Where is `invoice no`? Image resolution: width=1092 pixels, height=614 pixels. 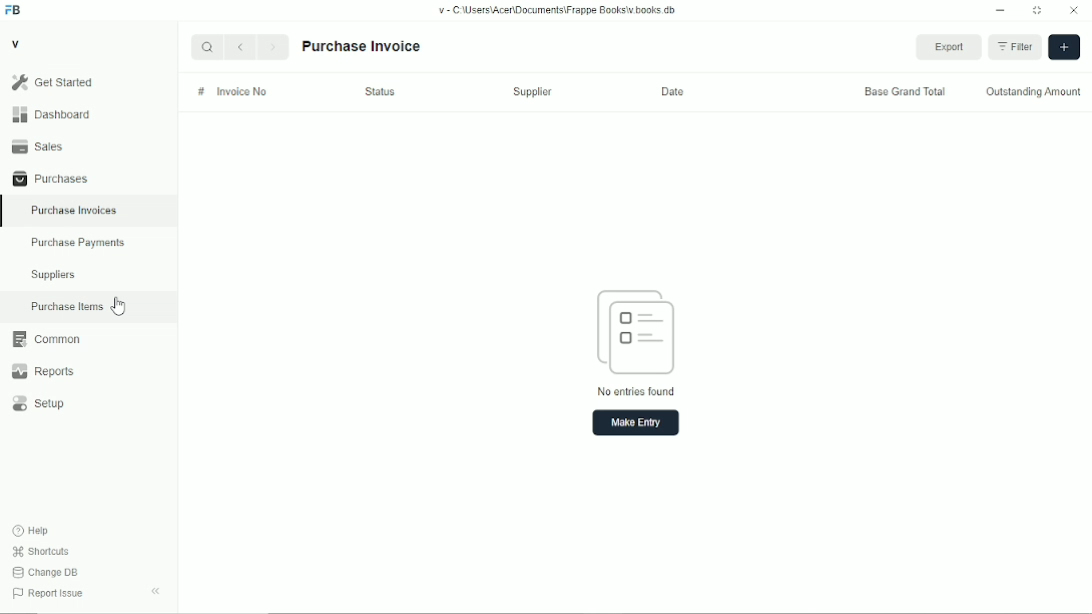
invoice no is located at coordinates (242, 91).